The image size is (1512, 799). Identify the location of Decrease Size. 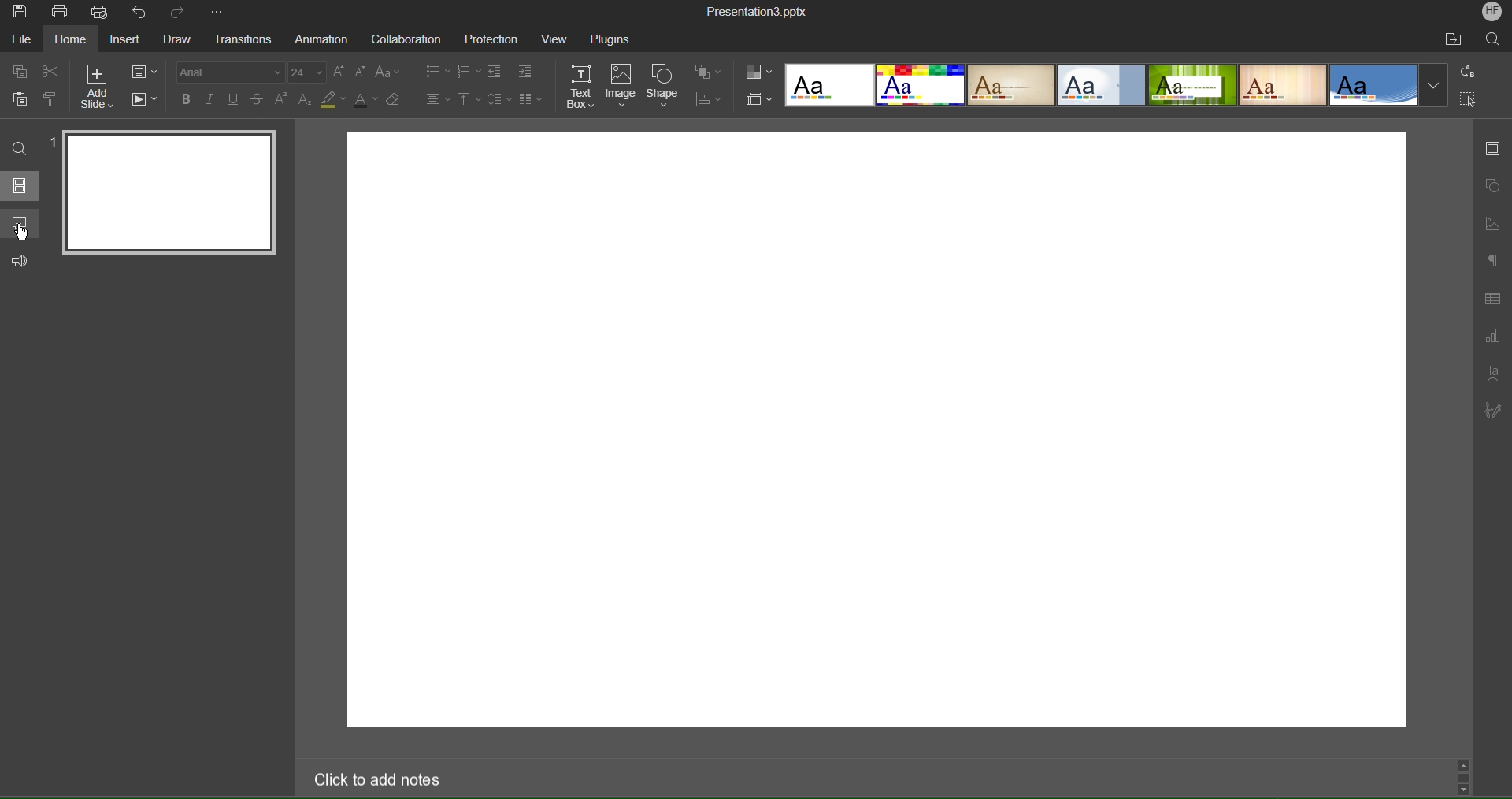
(362, 75).